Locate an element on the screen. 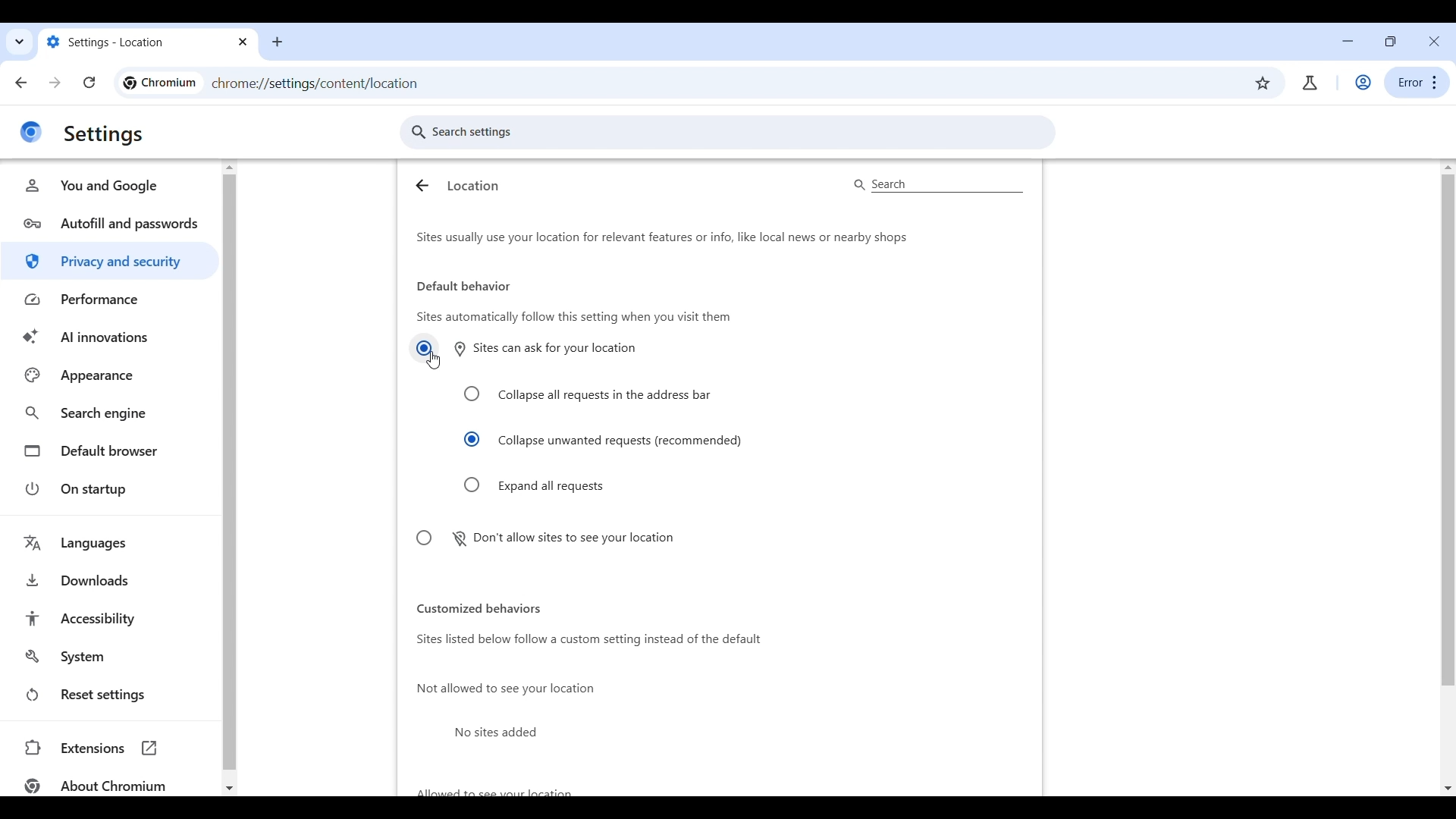  AI innovations is located at coordinates (110, 337).